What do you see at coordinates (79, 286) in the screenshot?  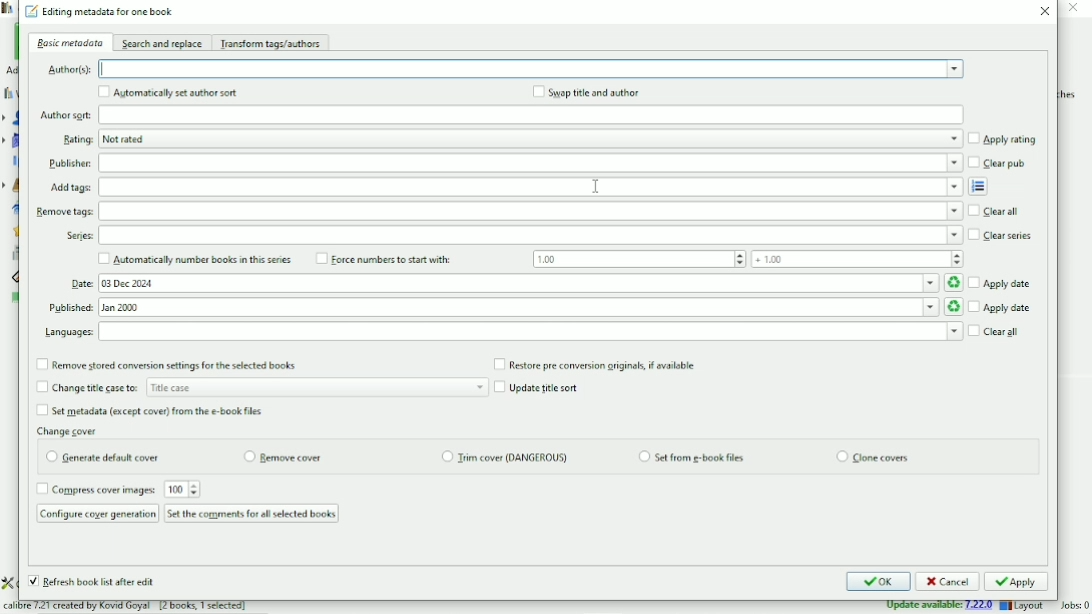 I see `Date` at bounding box center [79, 286].